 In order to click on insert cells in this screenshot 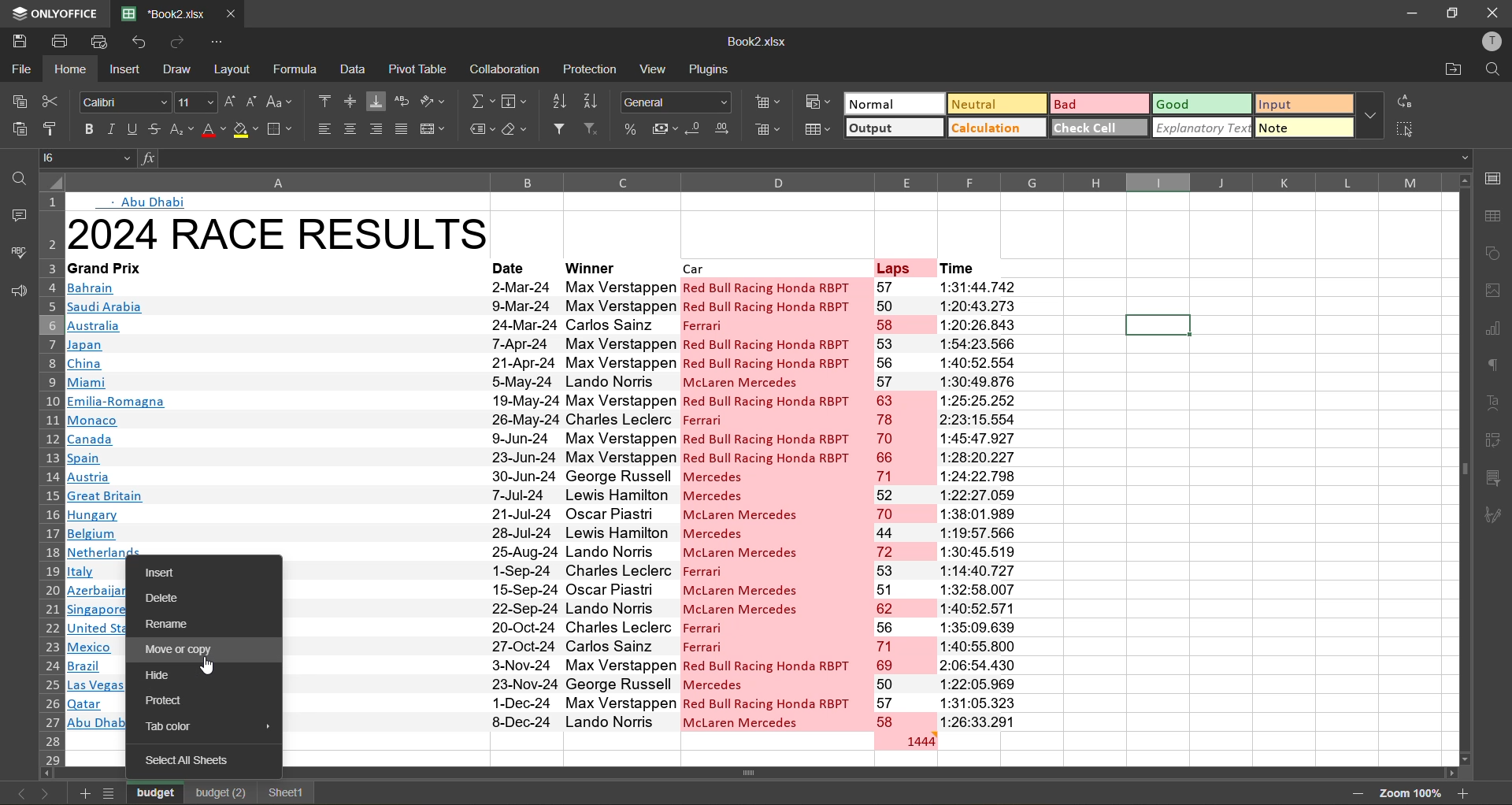, I will do `click(770, 106)`.